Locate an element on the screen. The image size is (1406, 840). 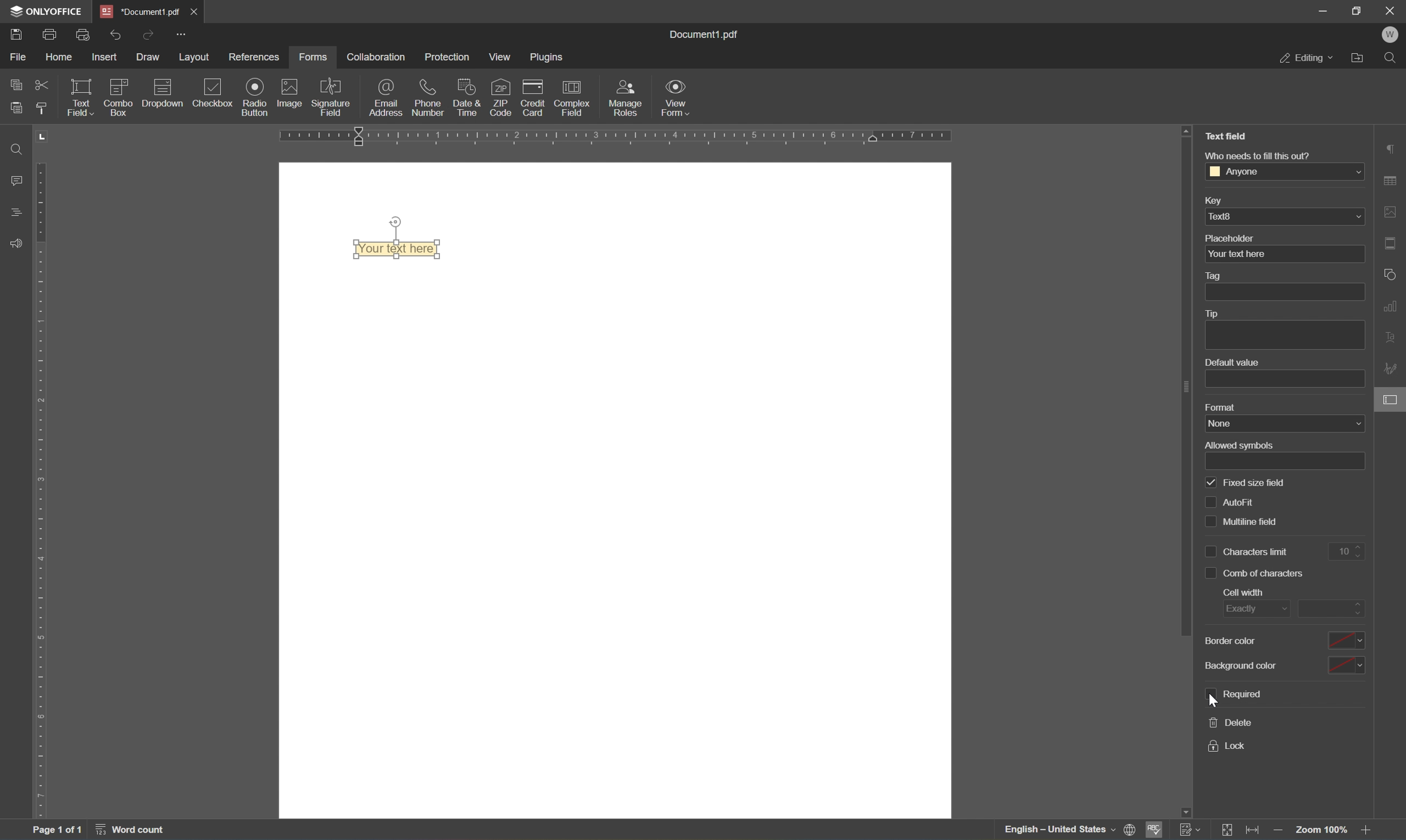
your text here is located at coordinates (1237, 254).